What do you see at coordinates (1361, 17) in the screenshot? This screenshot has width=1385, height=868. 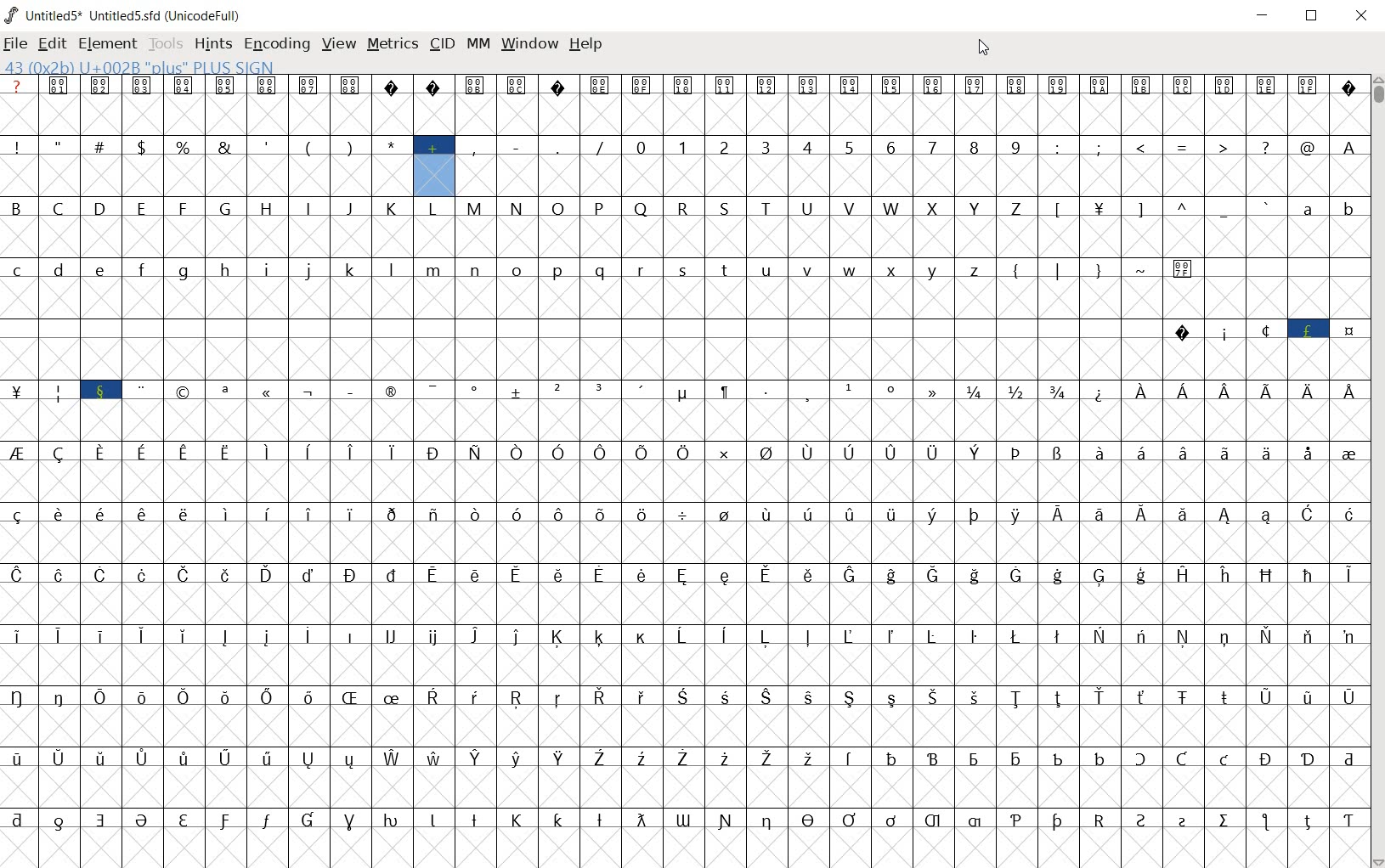 I see `close` at bounding box center [1361, 17].